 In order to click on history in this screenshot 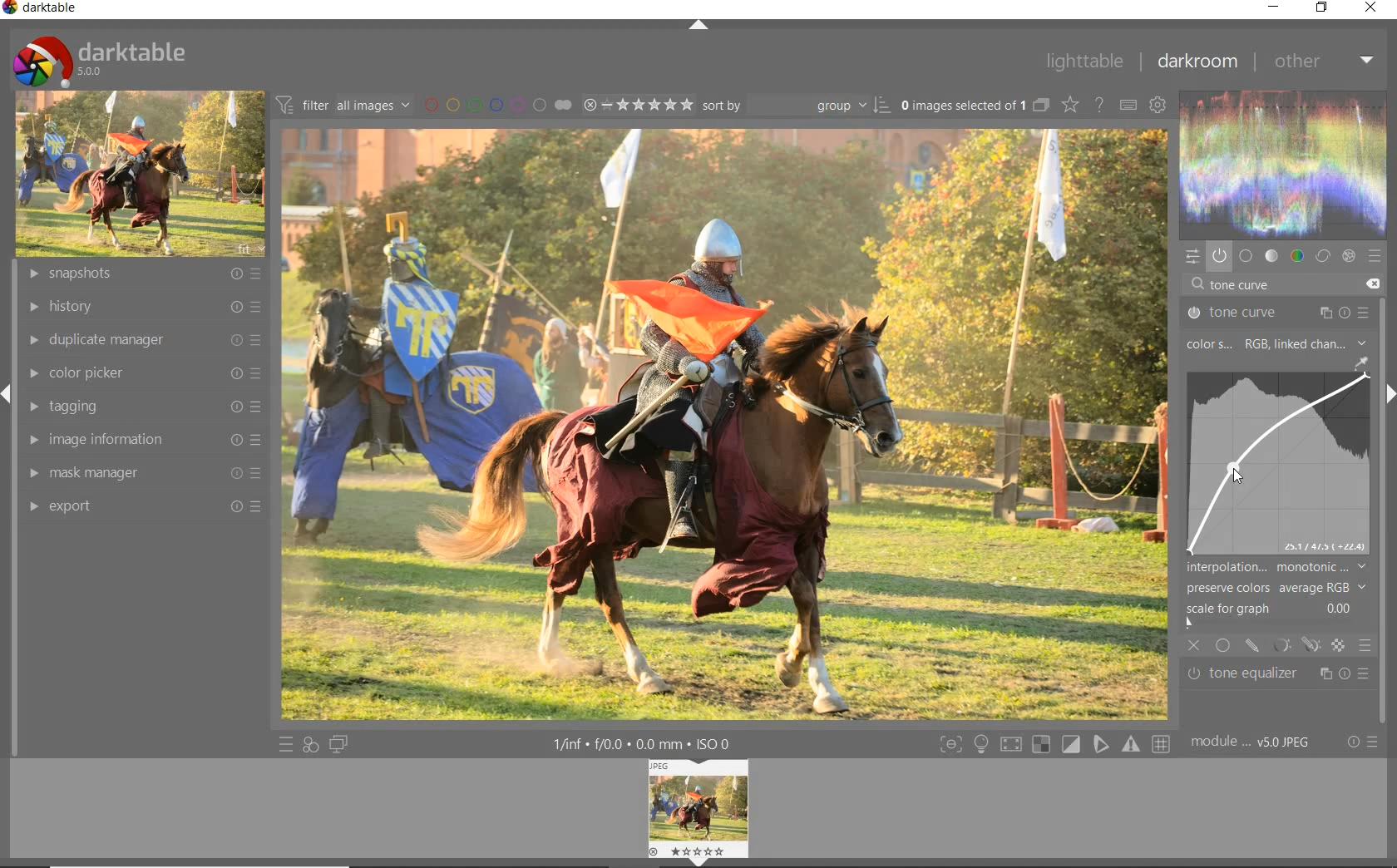, I will do `click(142, 308)`.